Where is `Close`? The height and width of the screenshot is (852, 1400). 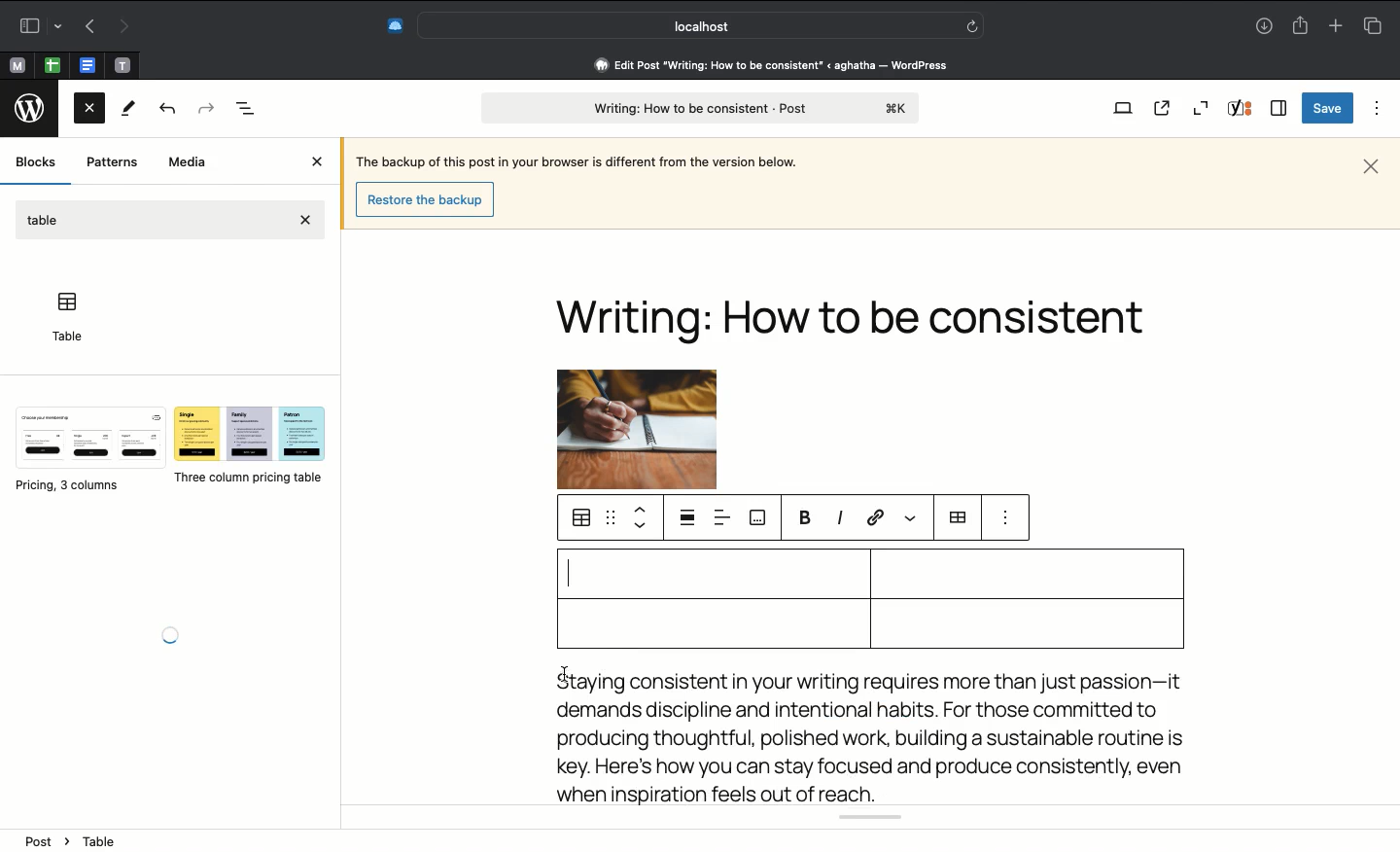 Close is located at coordinates (320, 162).